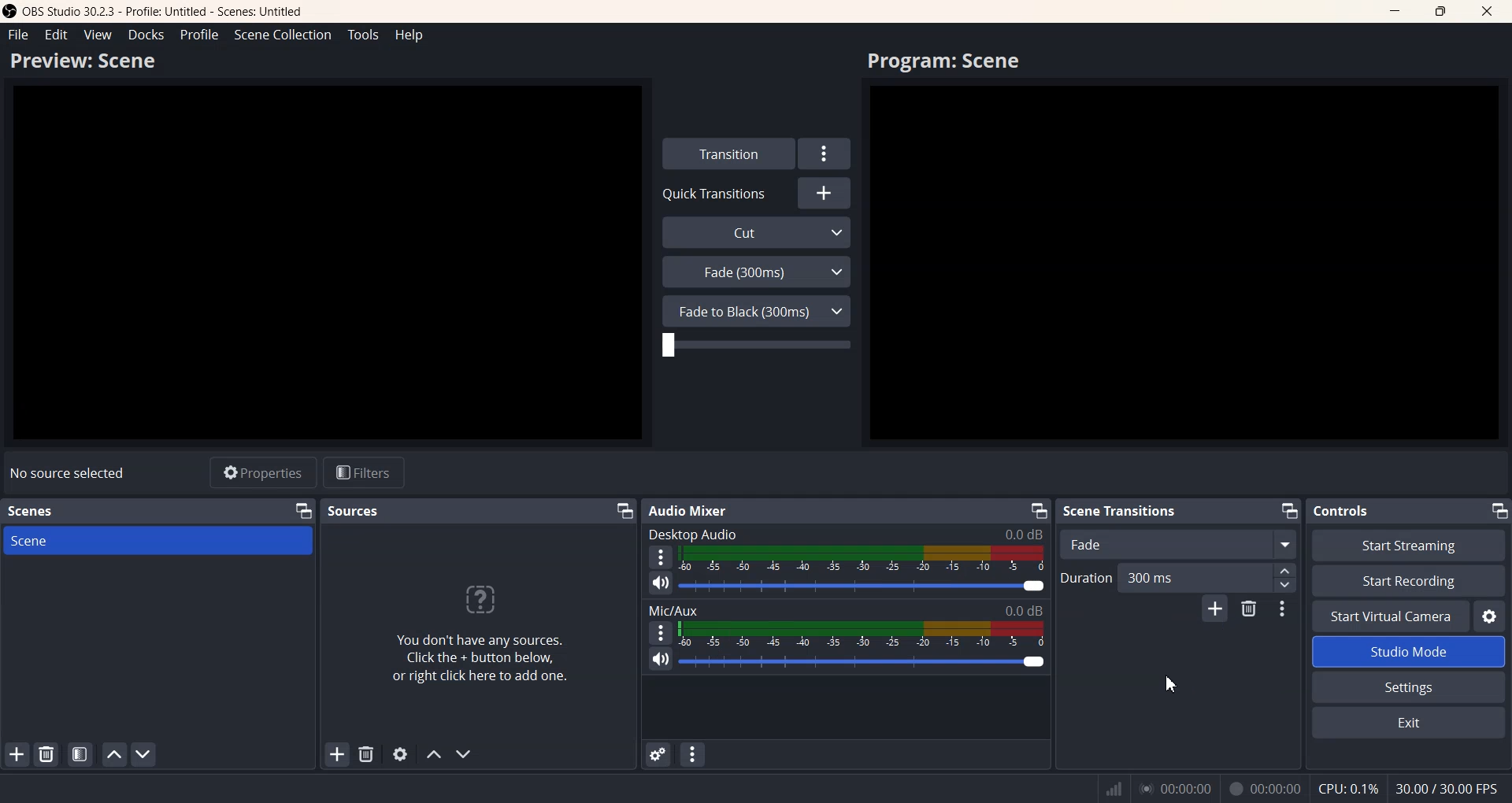  Describe the element at coordinates (200, 35) in the screenshot. I see `Profile` at that location.